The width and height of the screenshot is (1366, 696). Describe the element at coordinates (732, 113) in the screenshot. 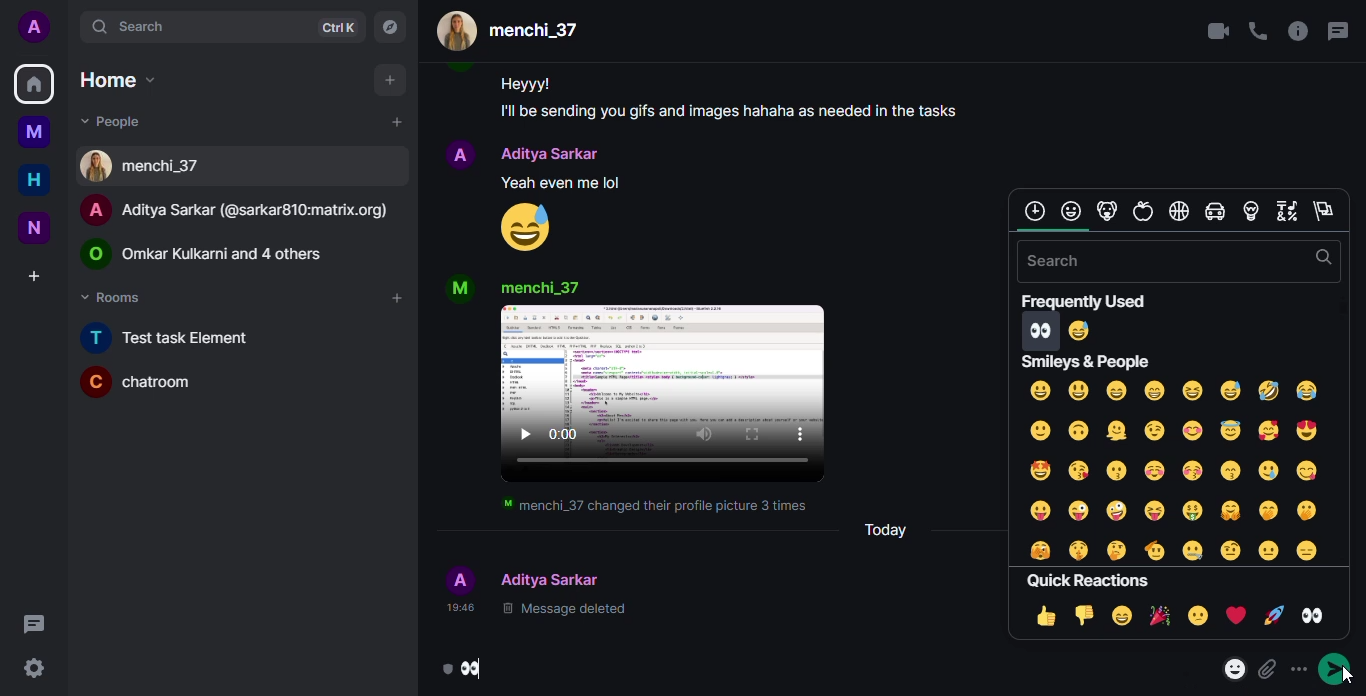

I see `I'll be sending you gifts and images hahaha as needed in the tasks.` at that location.